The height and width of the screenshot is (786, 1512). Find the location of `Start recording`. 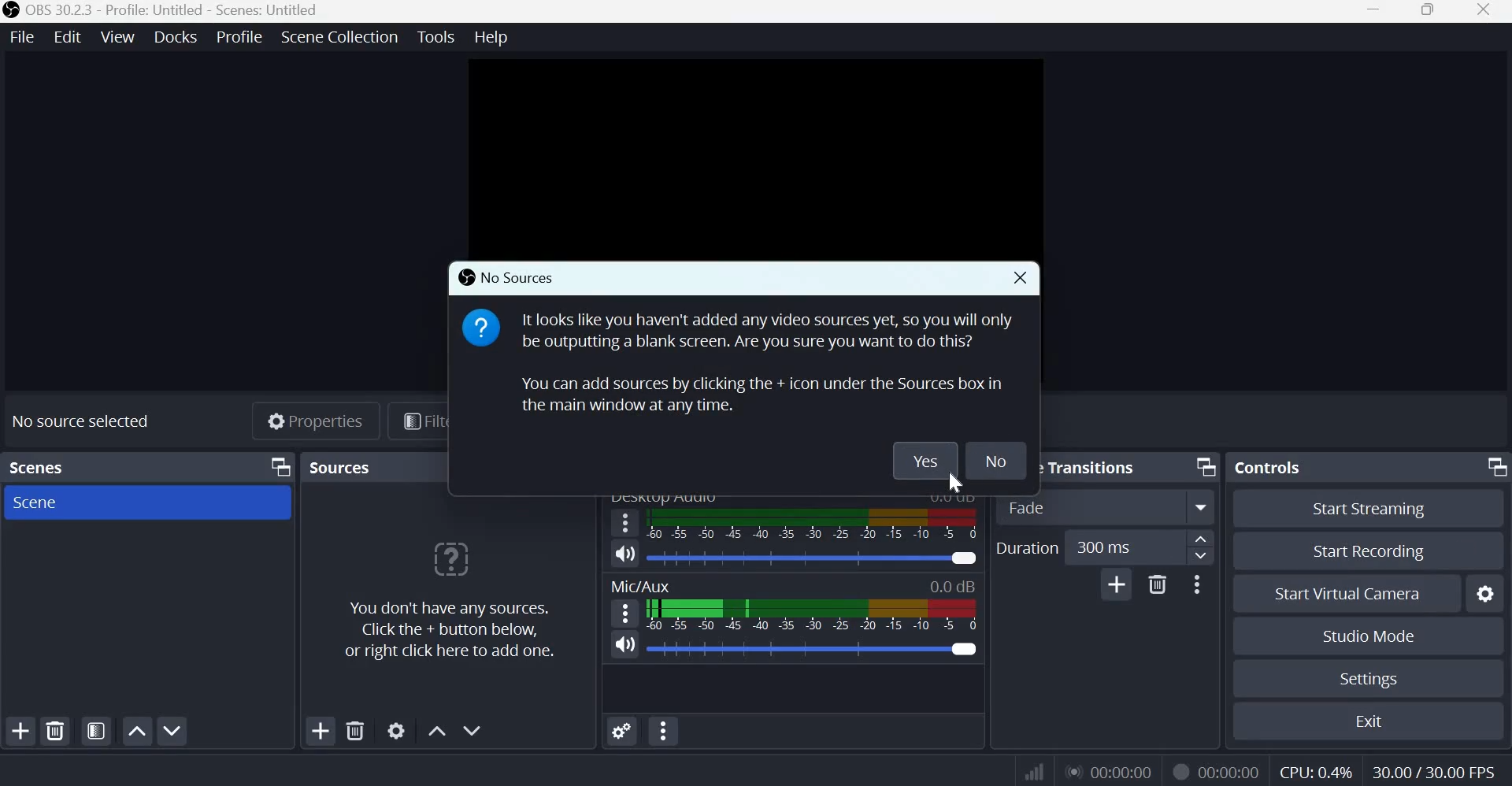

Start recording is located at coordinates (1369, 554).